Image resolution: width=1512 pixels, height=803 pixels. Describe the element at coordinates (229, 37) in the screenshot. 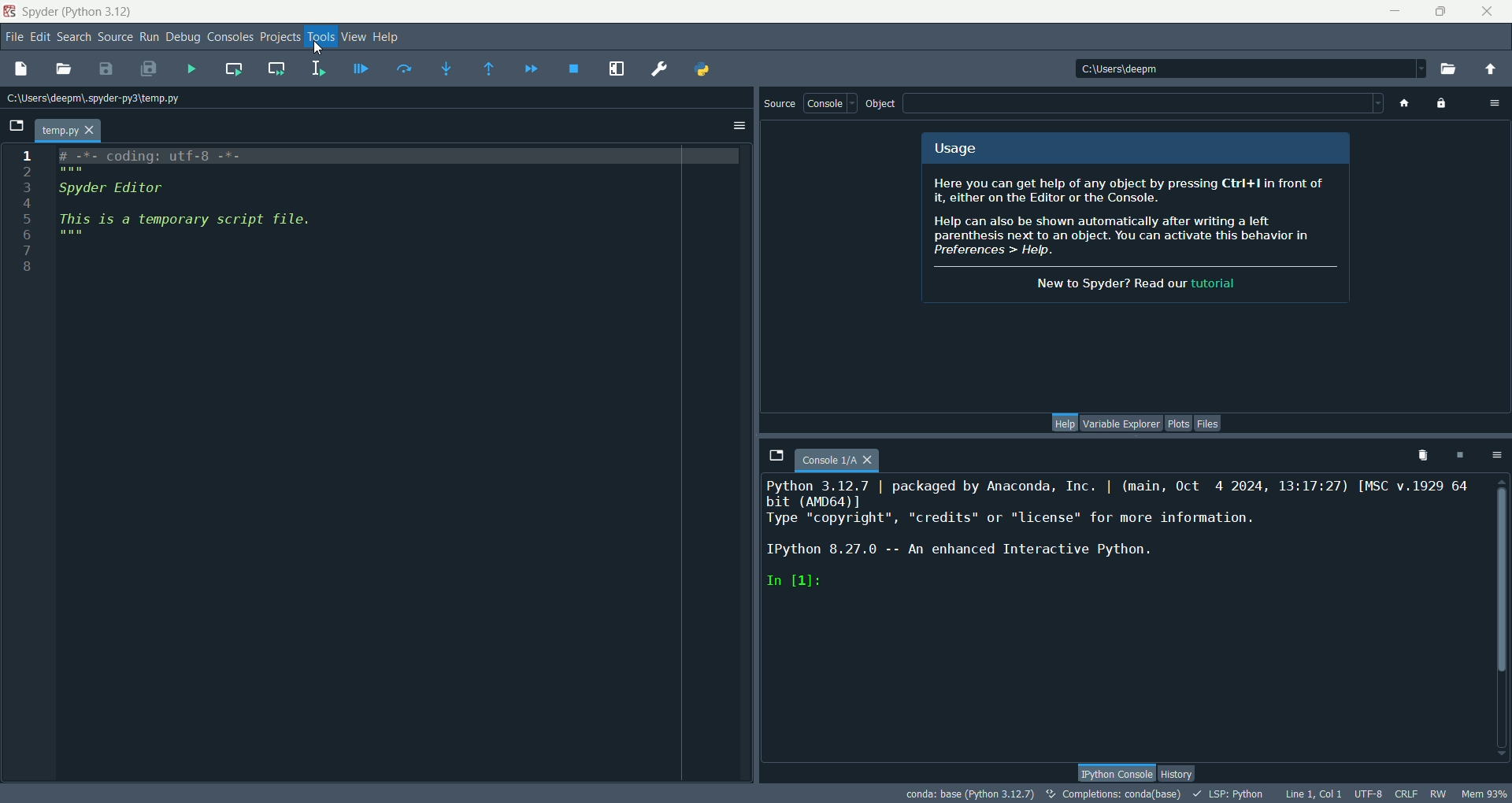

I see `consoles` at that location.